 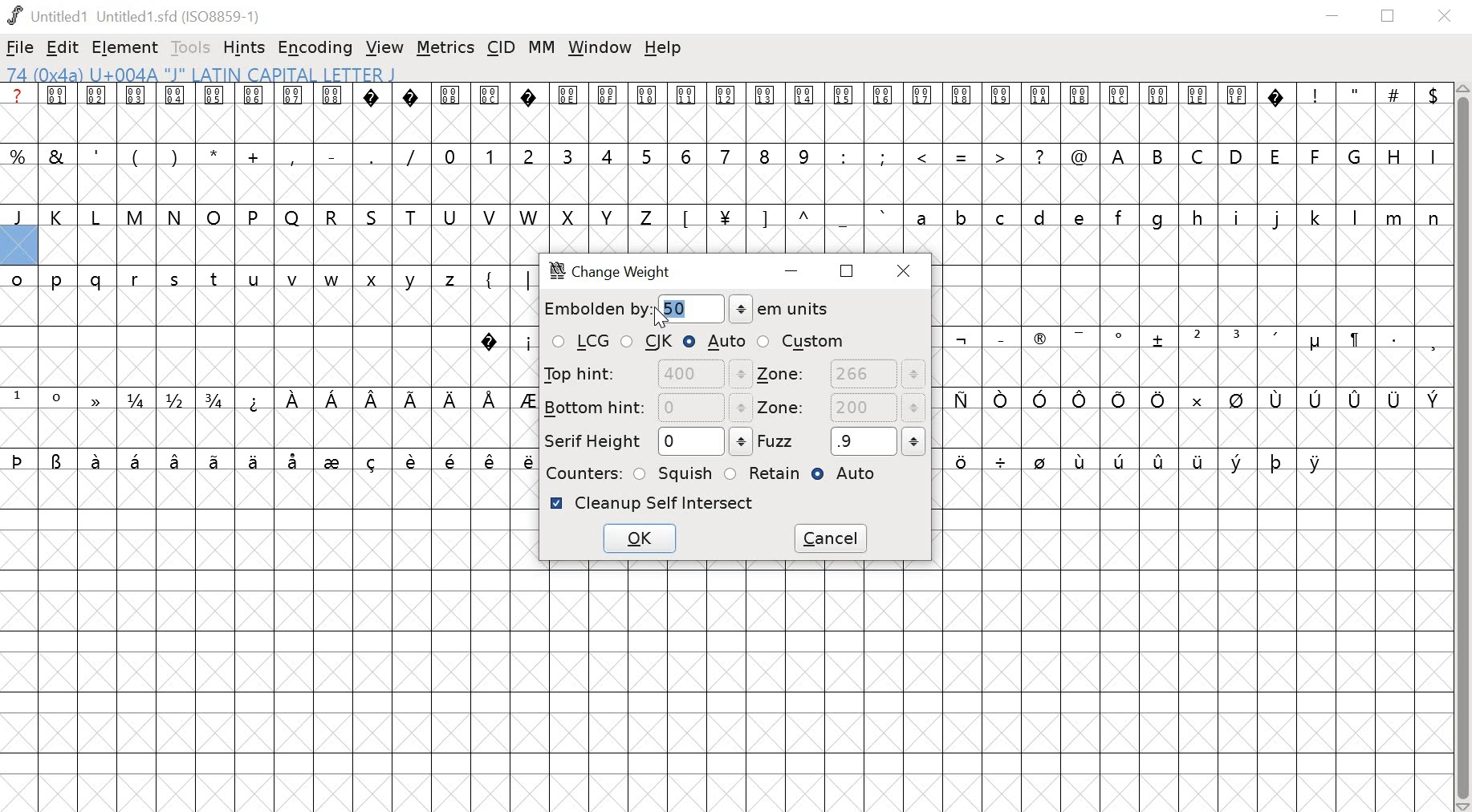 I want to click on LCG, so click(x=579, y=343).